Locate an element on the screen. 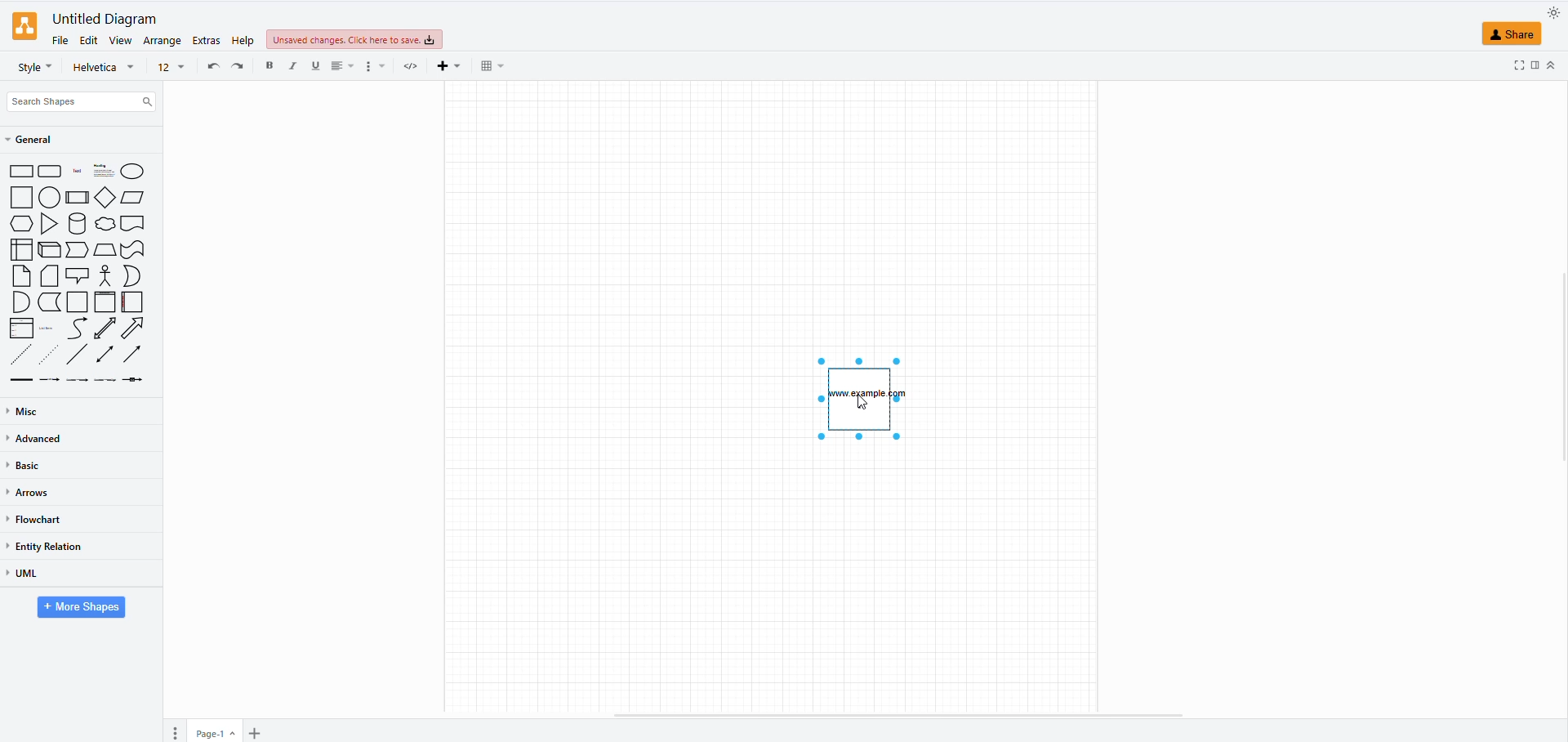  bold is located at coordinates (274, 66).